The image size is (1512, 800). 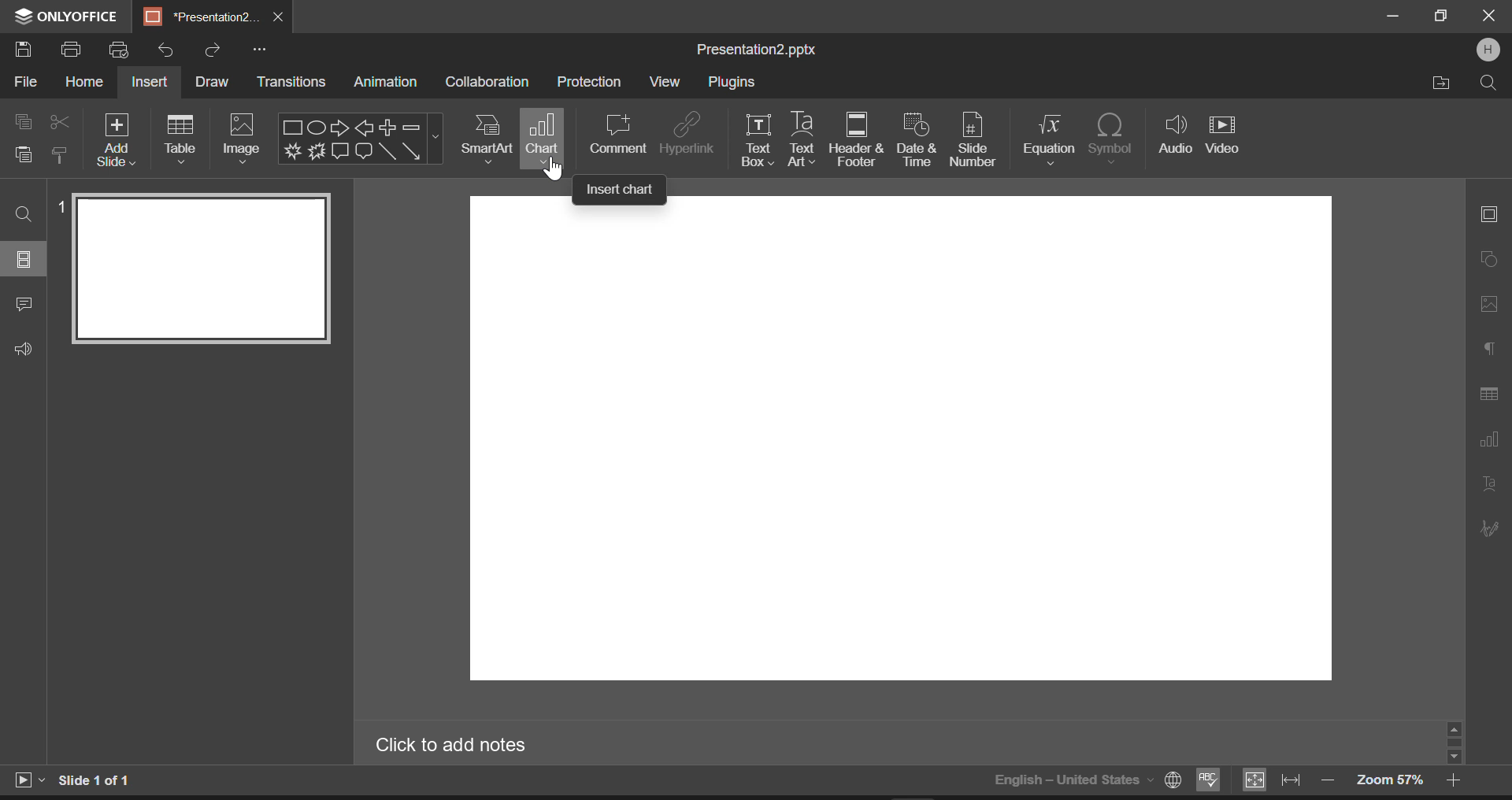 What do you see at coordinates (614, 135) in the screenshot?
I see `Comment` at bounding box center [614, 135].